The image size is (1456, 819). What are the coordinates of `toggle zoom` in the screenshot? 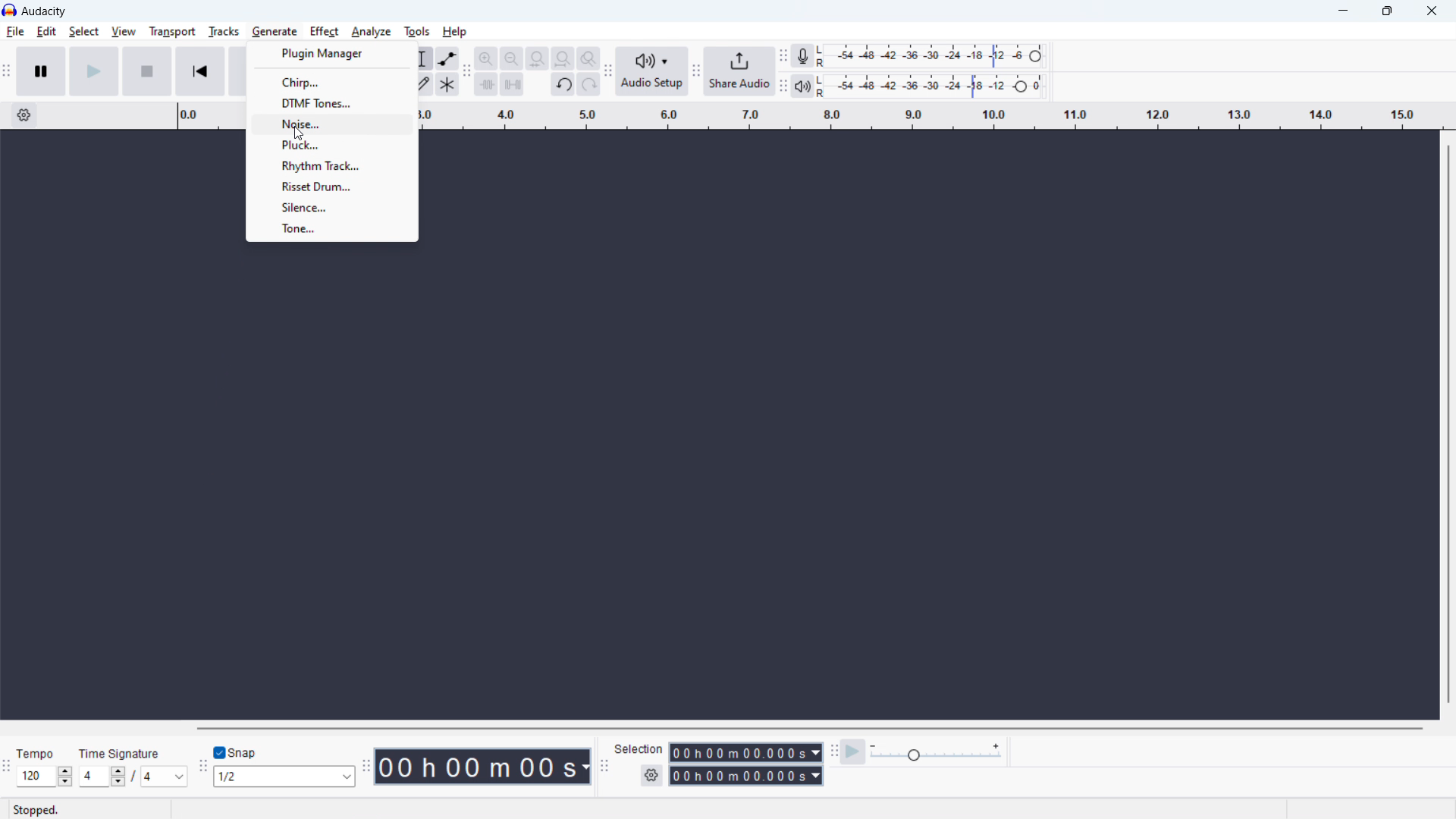 It's located at (588, 58).